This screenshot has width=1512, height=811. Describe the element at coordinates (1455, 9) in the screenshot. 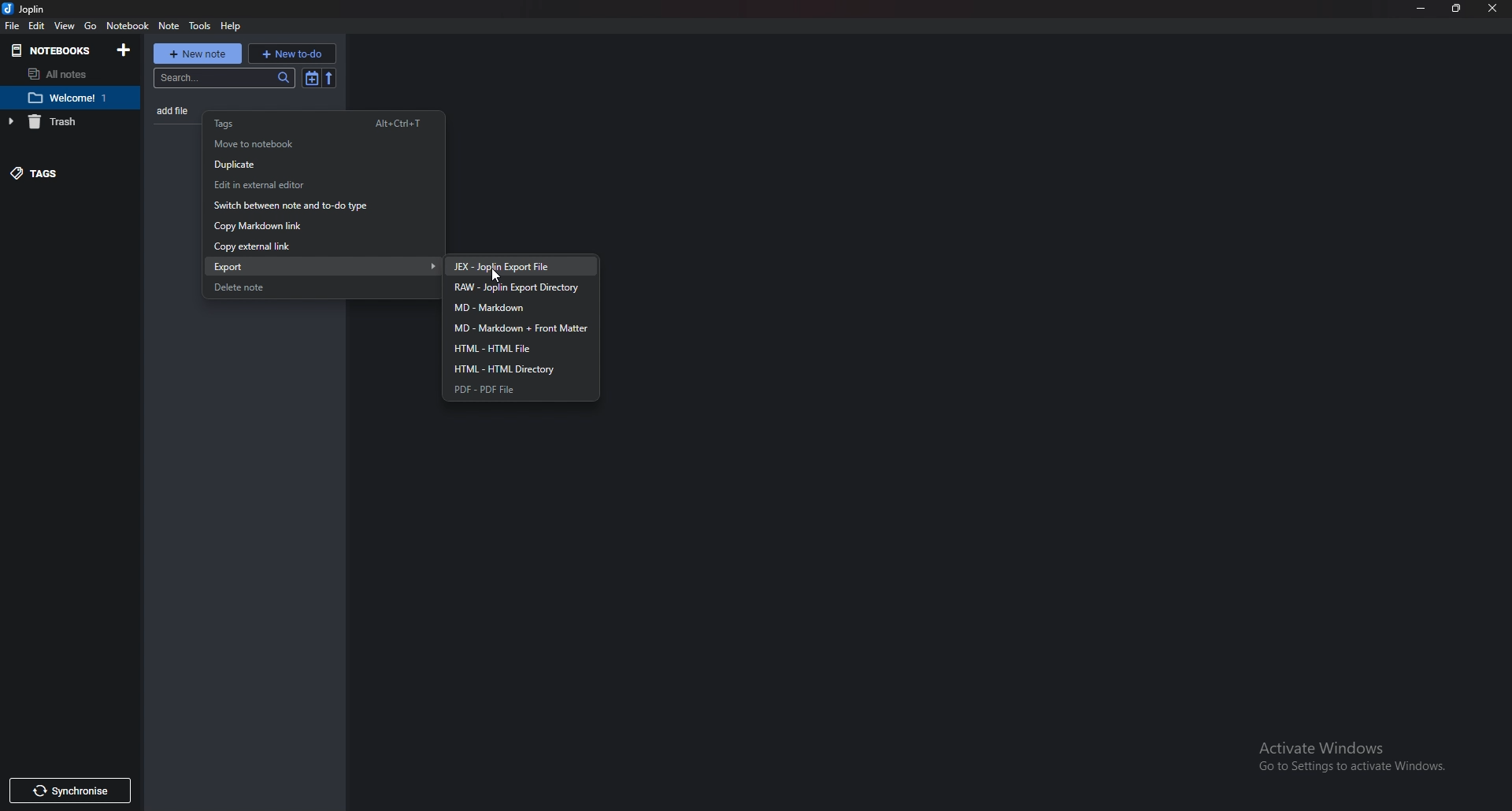

I see `Resize` at that location.